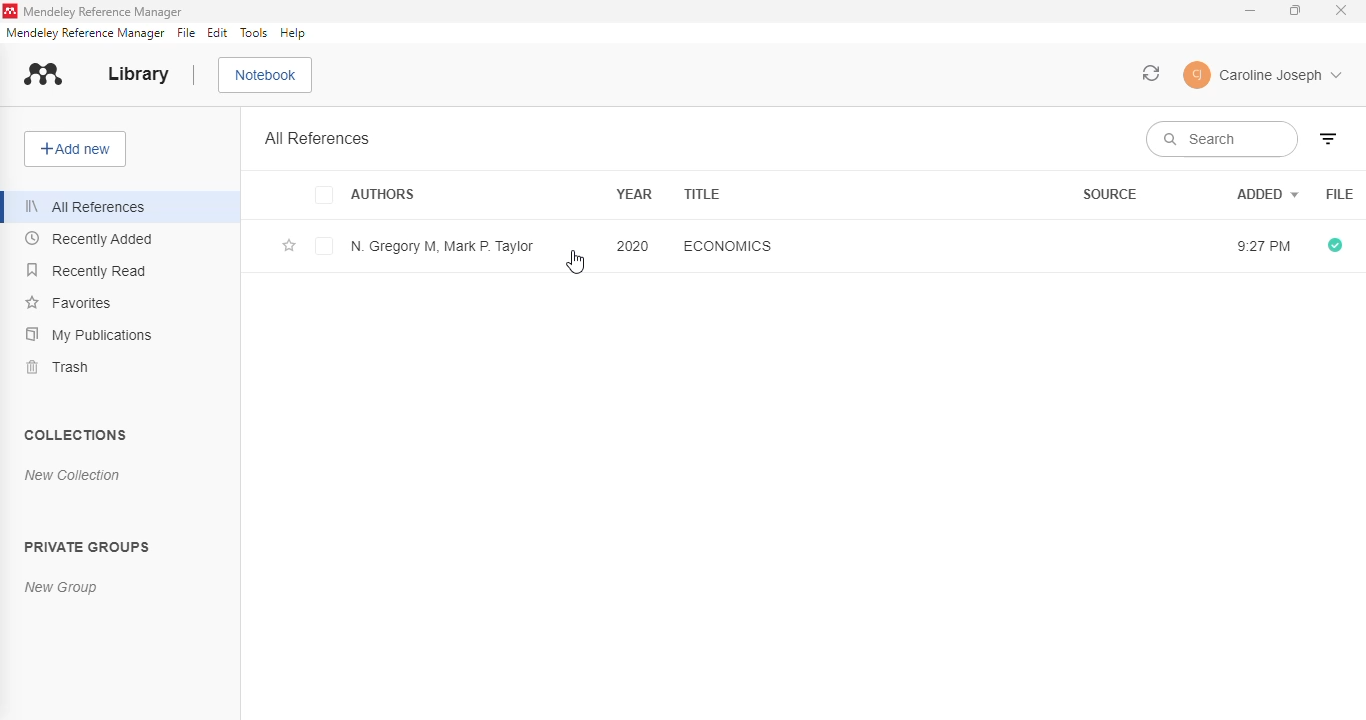 The height and width of the screenshot is (720, 1366). I want to click on tools, so click(254, 32).